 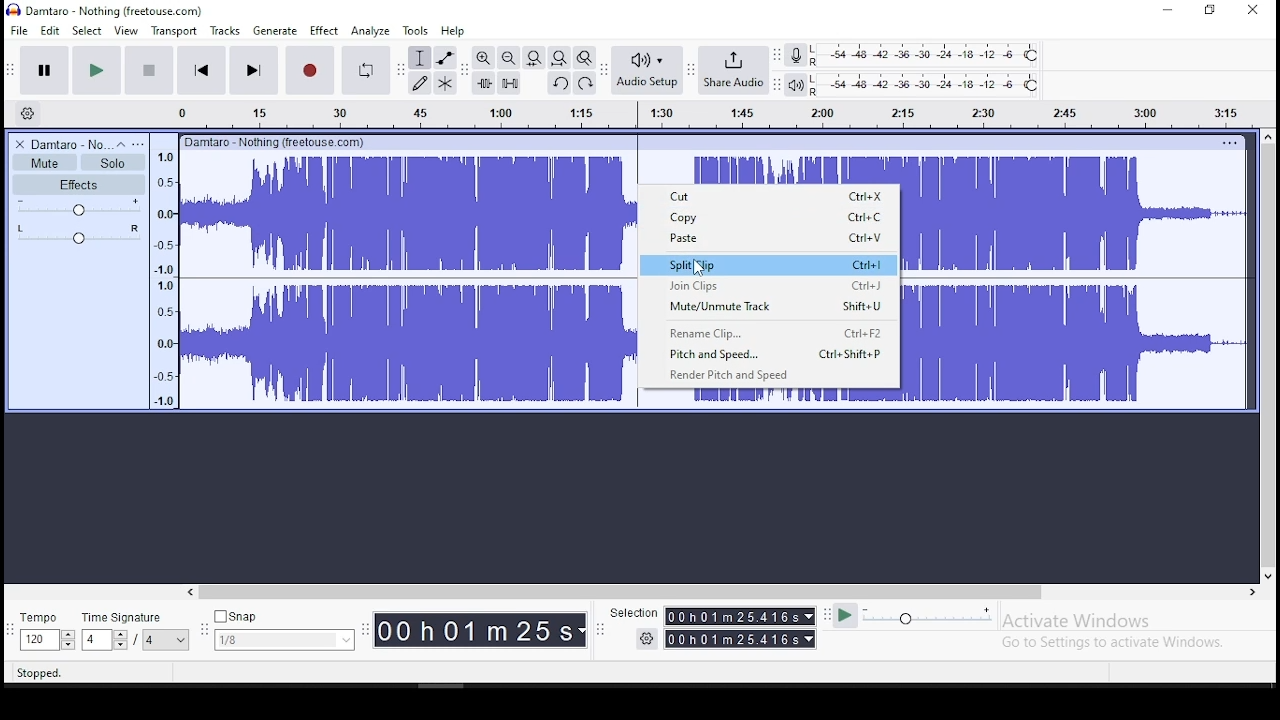 I want to click on help, so click(x=453, y=31).